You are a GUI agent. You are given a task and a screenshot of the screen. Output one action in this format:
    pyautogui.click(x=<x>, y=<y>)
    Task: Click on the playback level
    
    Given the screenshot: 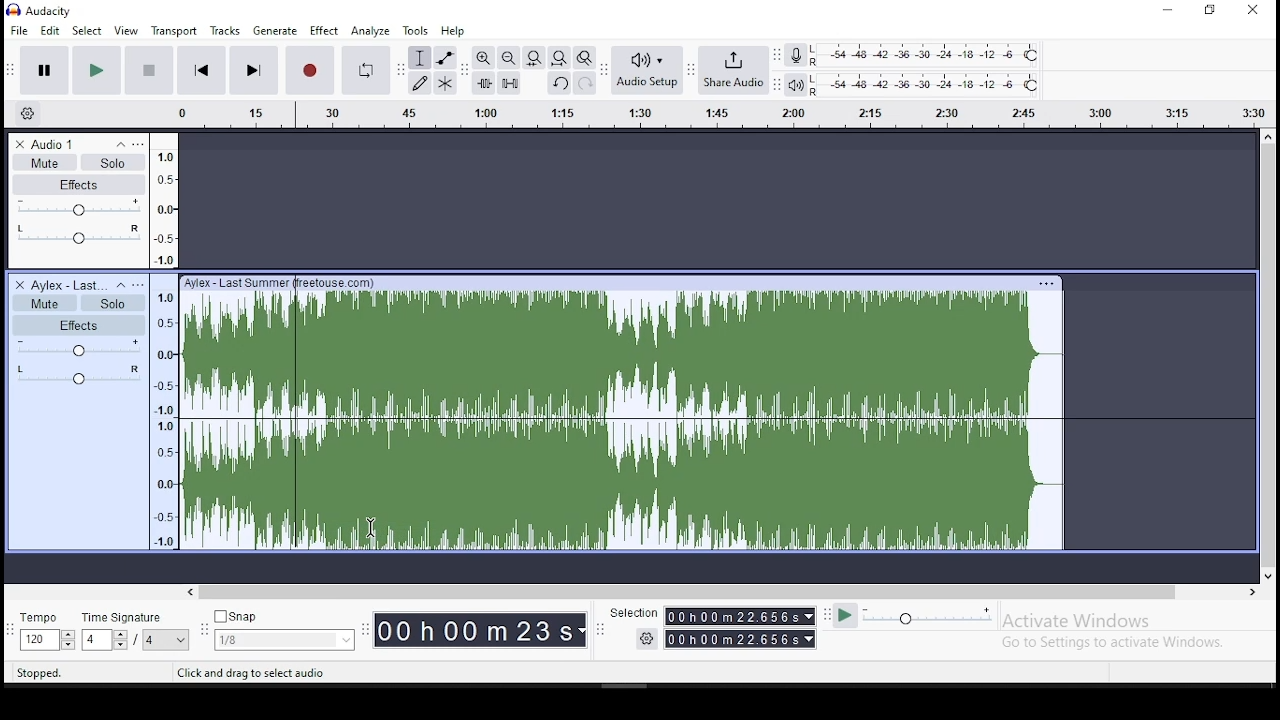 What is the action you would take?
    pyautogui.click(x=940, y=83)
    